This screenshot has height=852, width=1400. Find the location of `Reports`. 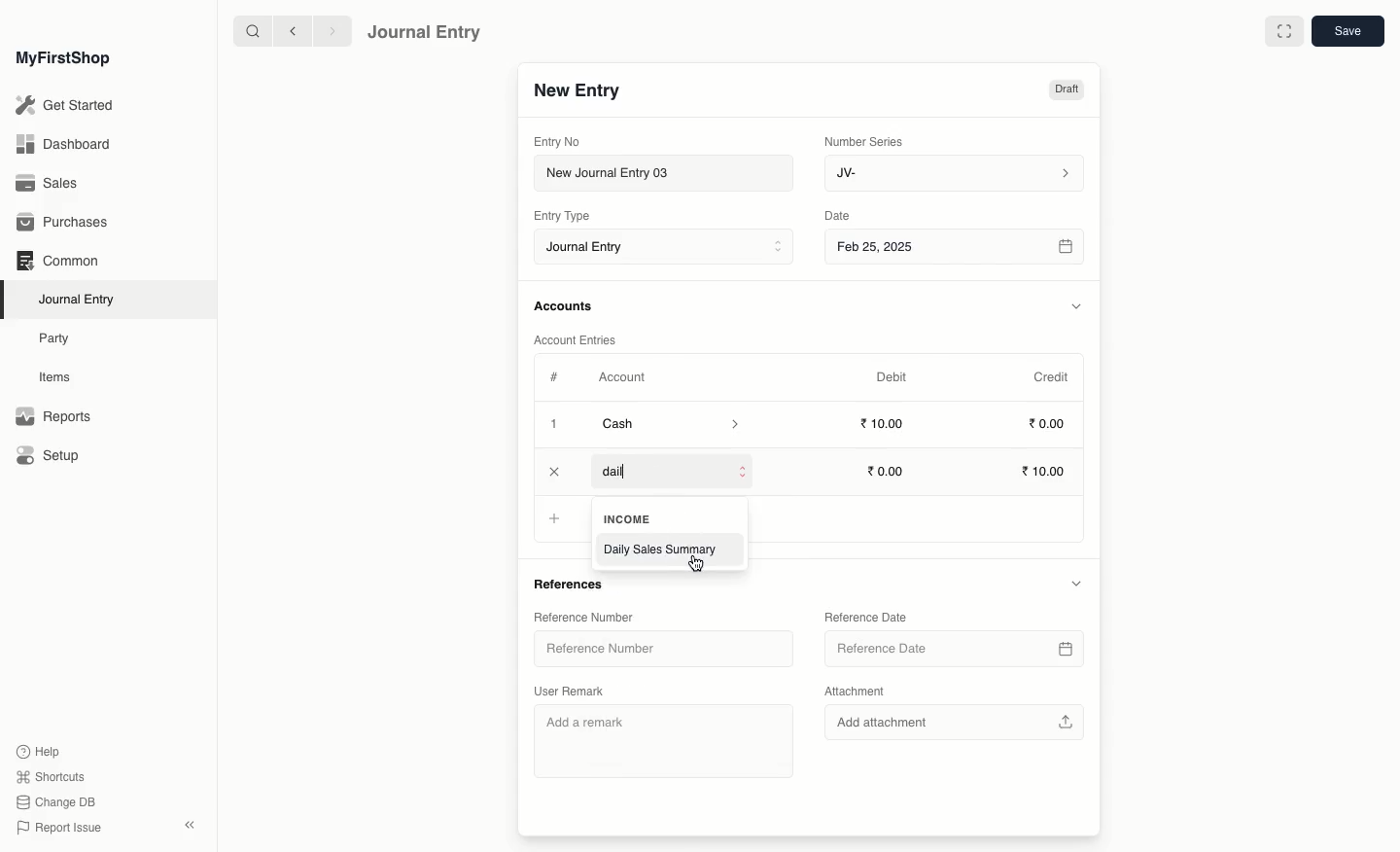

Reports is located at coordinates (52, 417).